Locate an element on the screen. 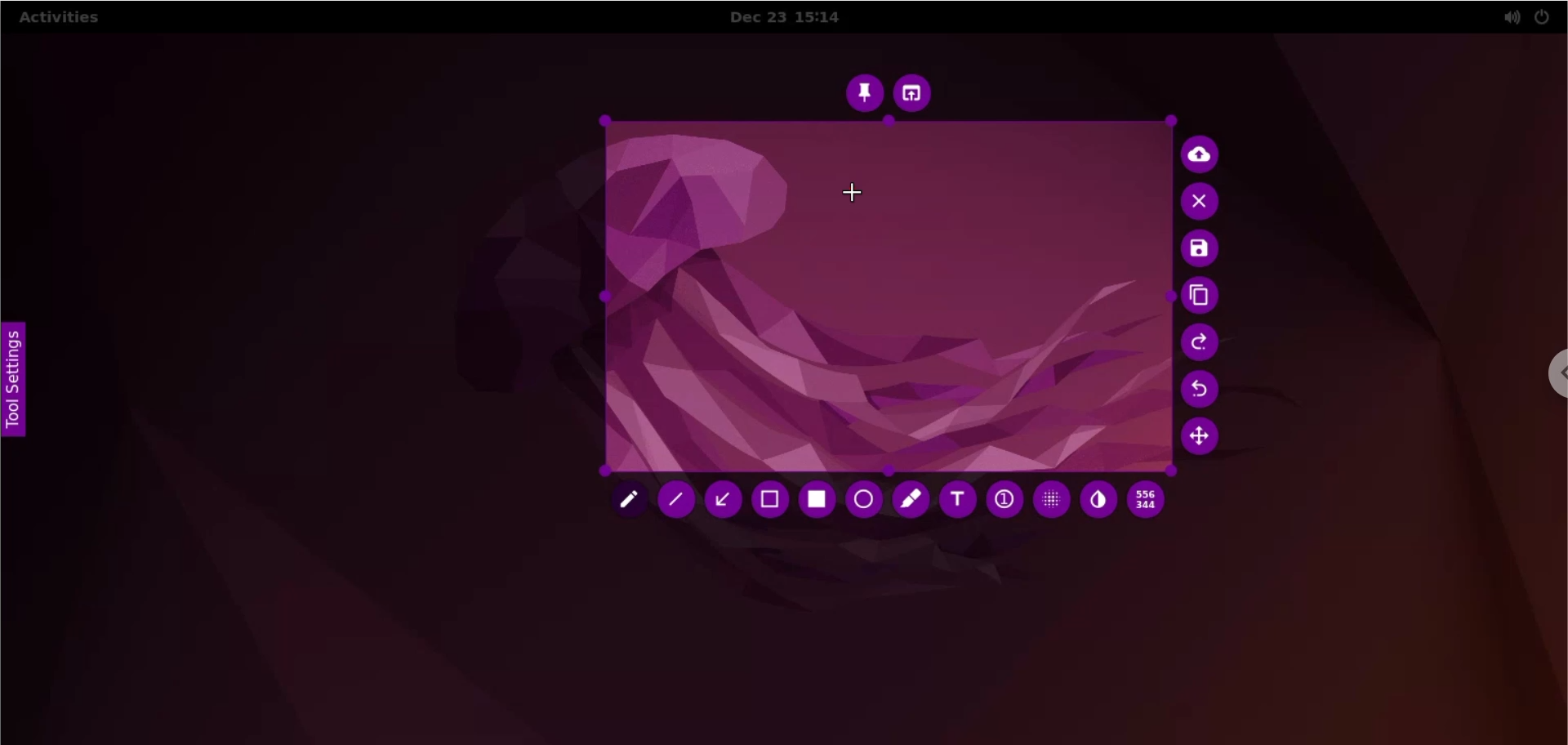 Image resolution: width=1568 pixels, height=745 pixels. x and y coordinates is located at coordinates (1149, 502).